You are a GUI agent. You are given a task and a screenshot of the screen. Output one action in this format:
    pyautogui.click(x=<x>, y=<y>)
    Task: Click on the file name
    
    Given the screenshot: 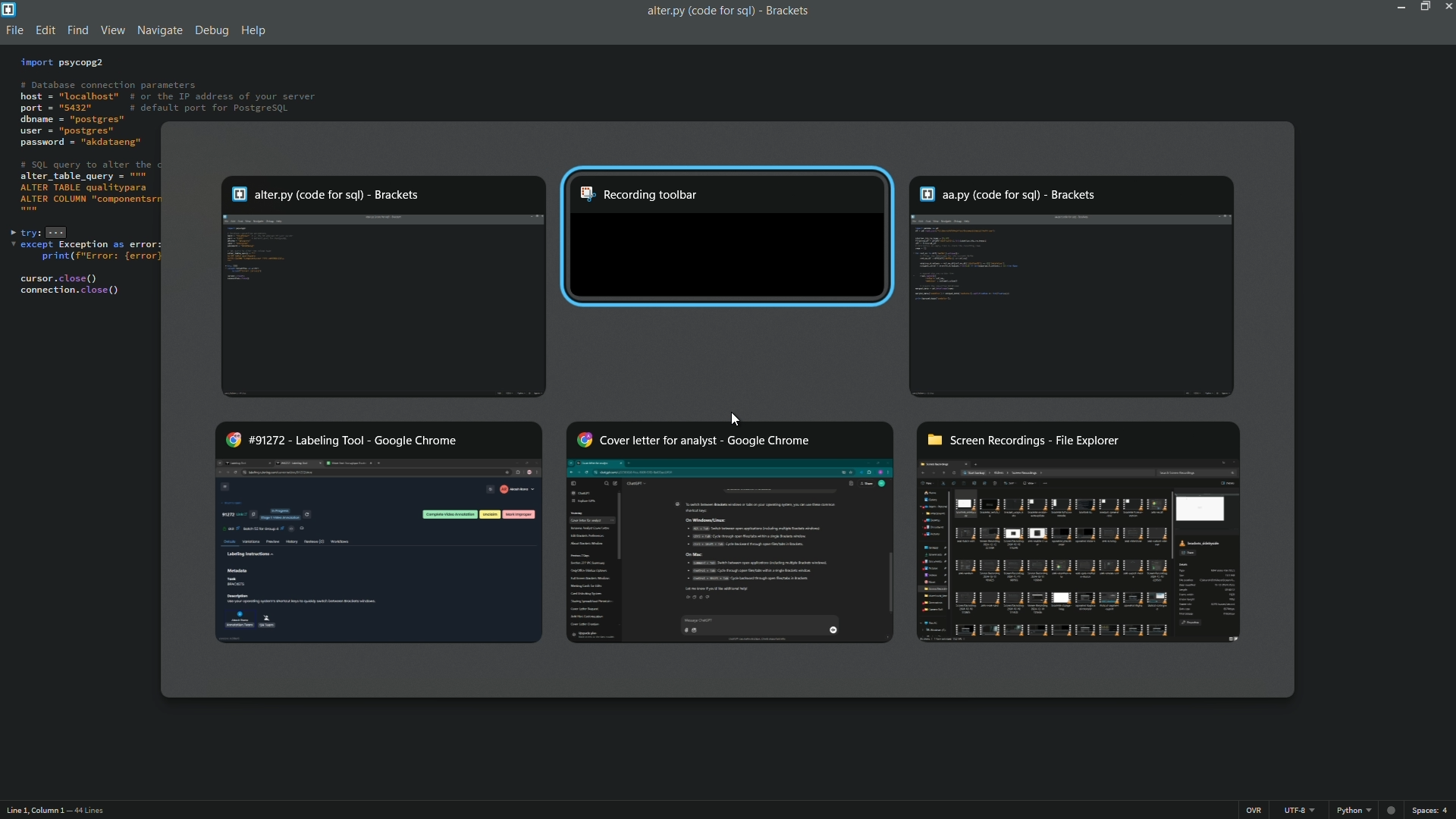 What is the action you would take?
    pyautogui.click(x=697, y=11)
    